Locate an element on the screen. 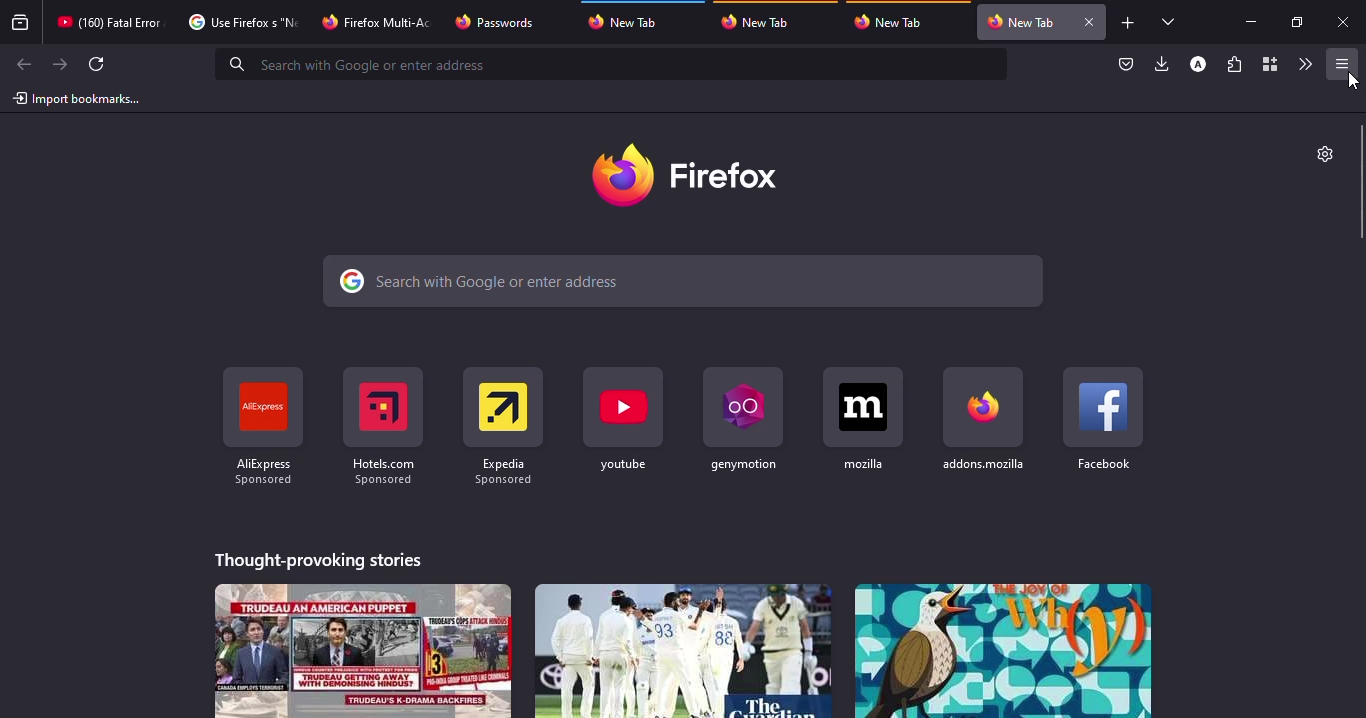  back is located at coordinates (21, 65).